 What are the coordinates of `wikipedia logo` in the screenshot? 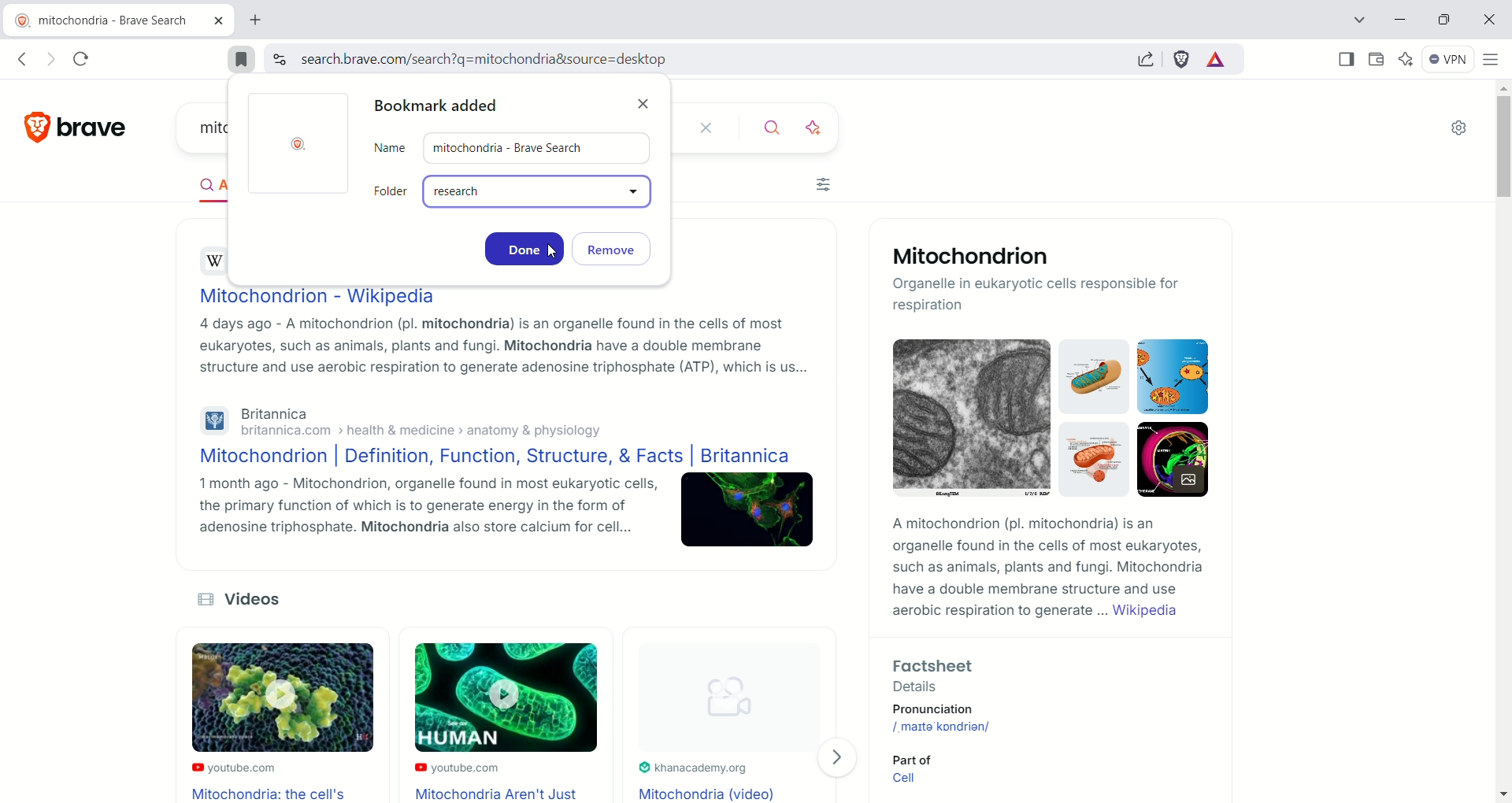 It's located at (217, 261).